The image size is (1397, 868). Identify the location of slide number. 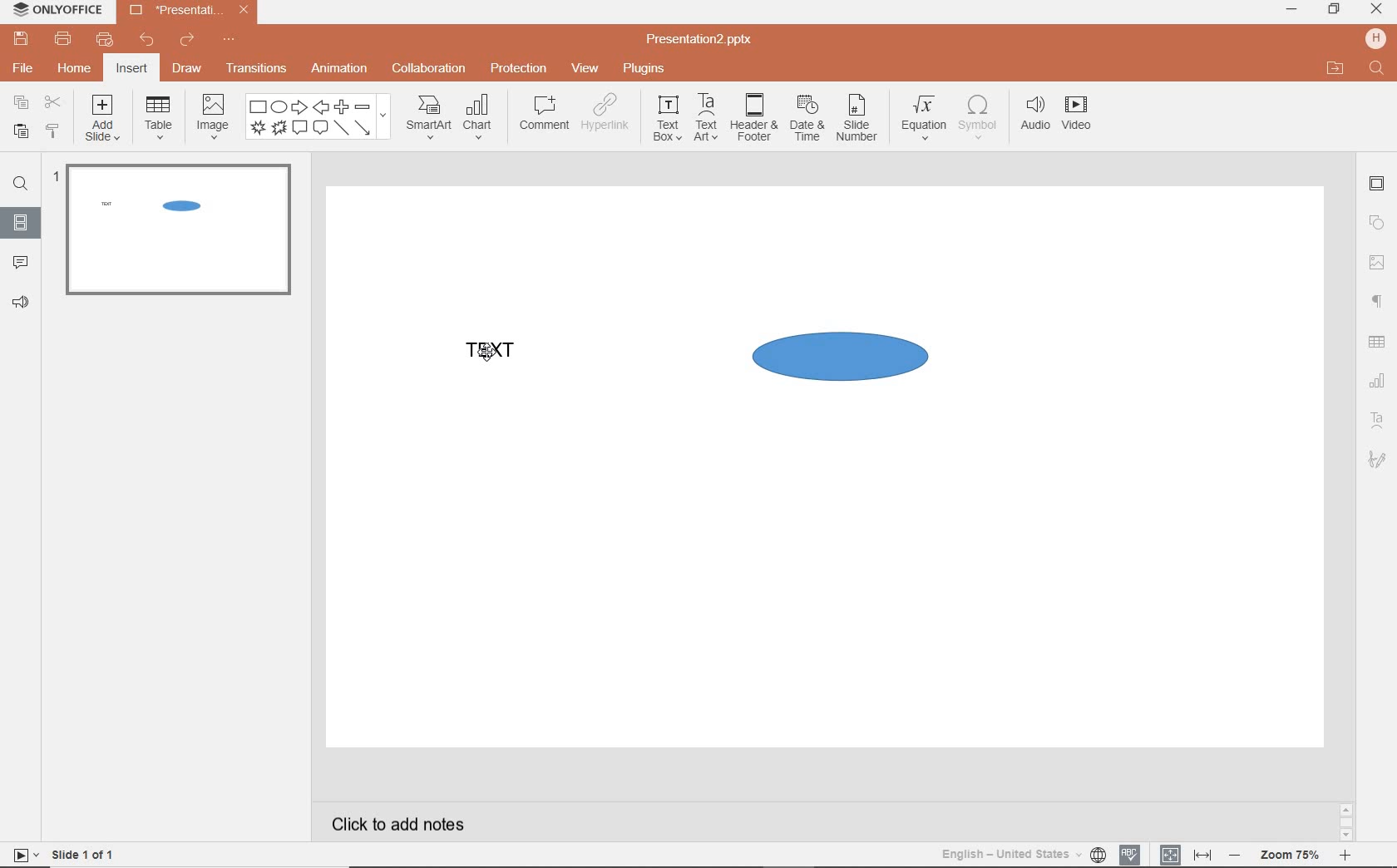
(856, 121).